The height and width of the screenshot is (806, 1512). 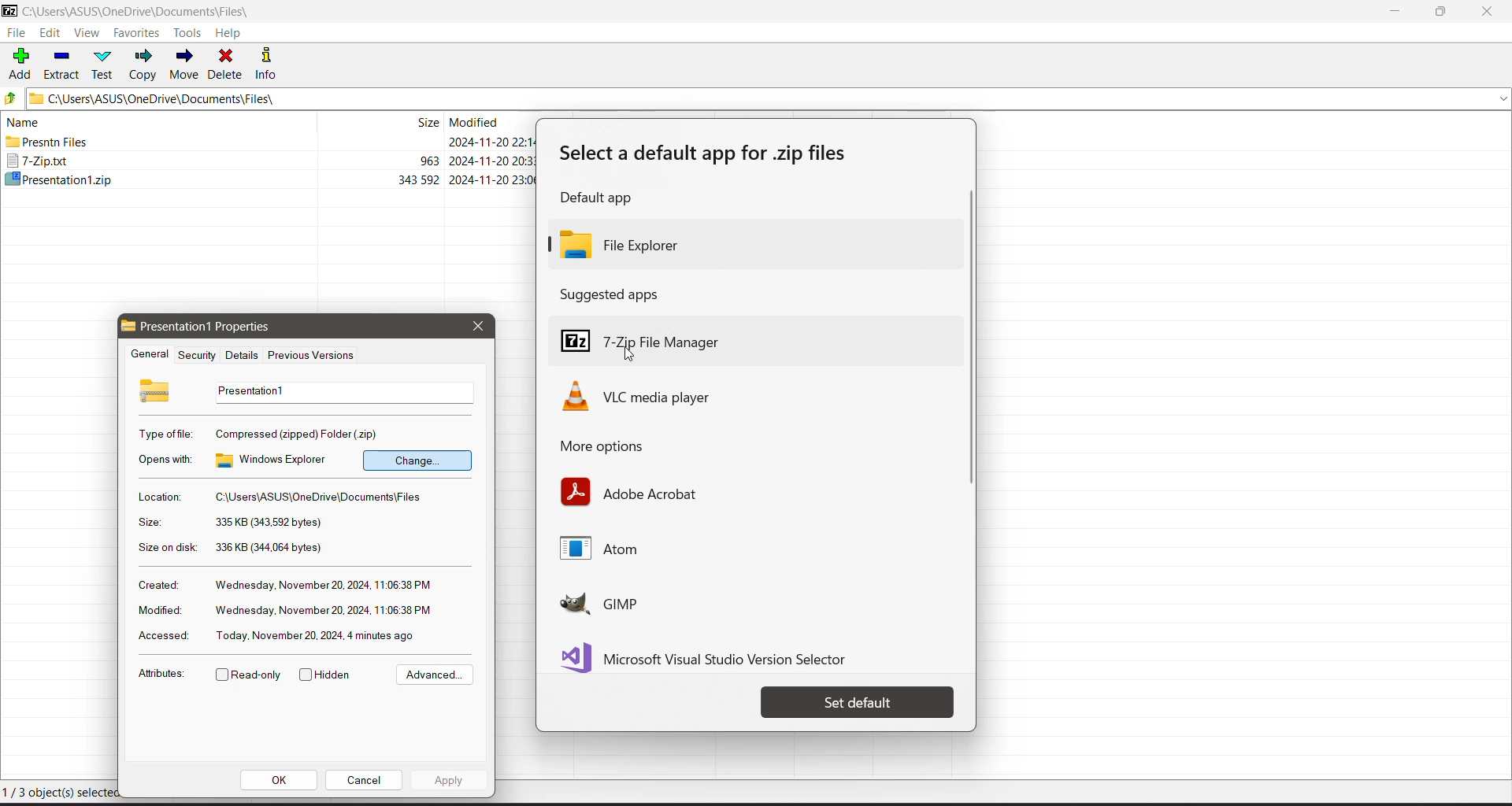 I want to click on Extract, so click(x=62, y=63).